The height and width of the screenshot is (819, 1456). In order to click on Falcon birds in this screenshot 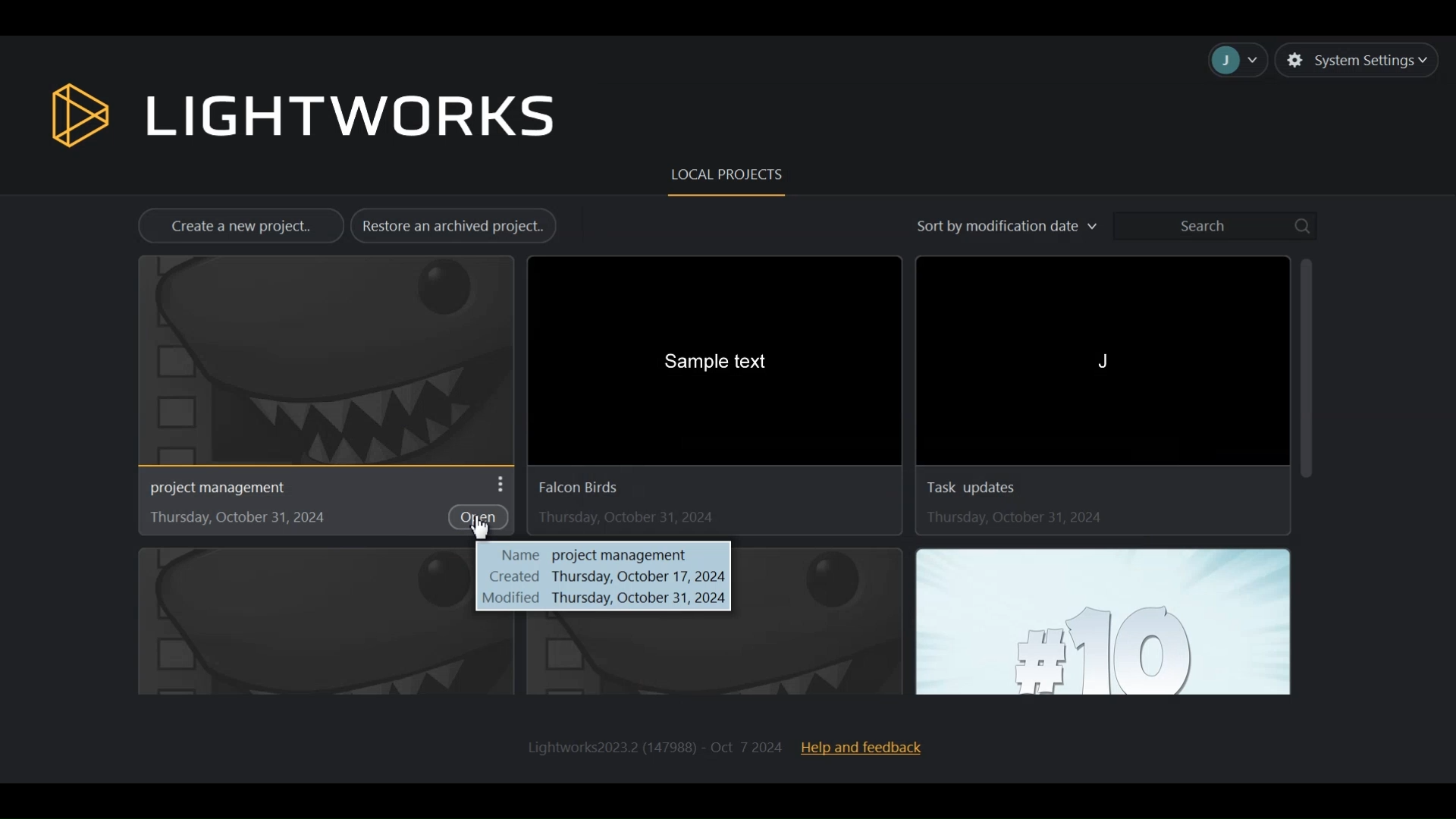, I will do `click(581, 486)`.